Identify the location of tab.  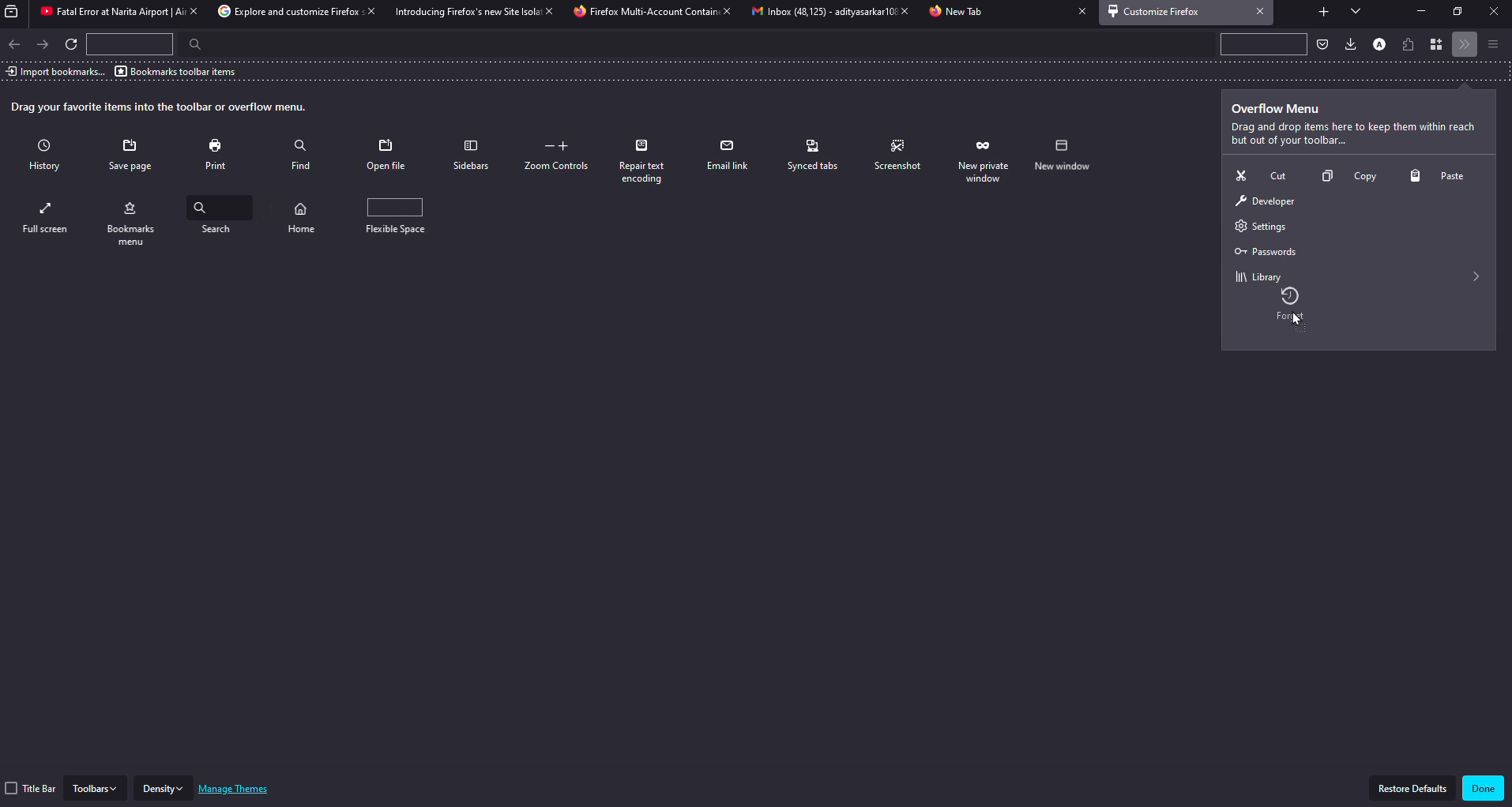
(104, 13).